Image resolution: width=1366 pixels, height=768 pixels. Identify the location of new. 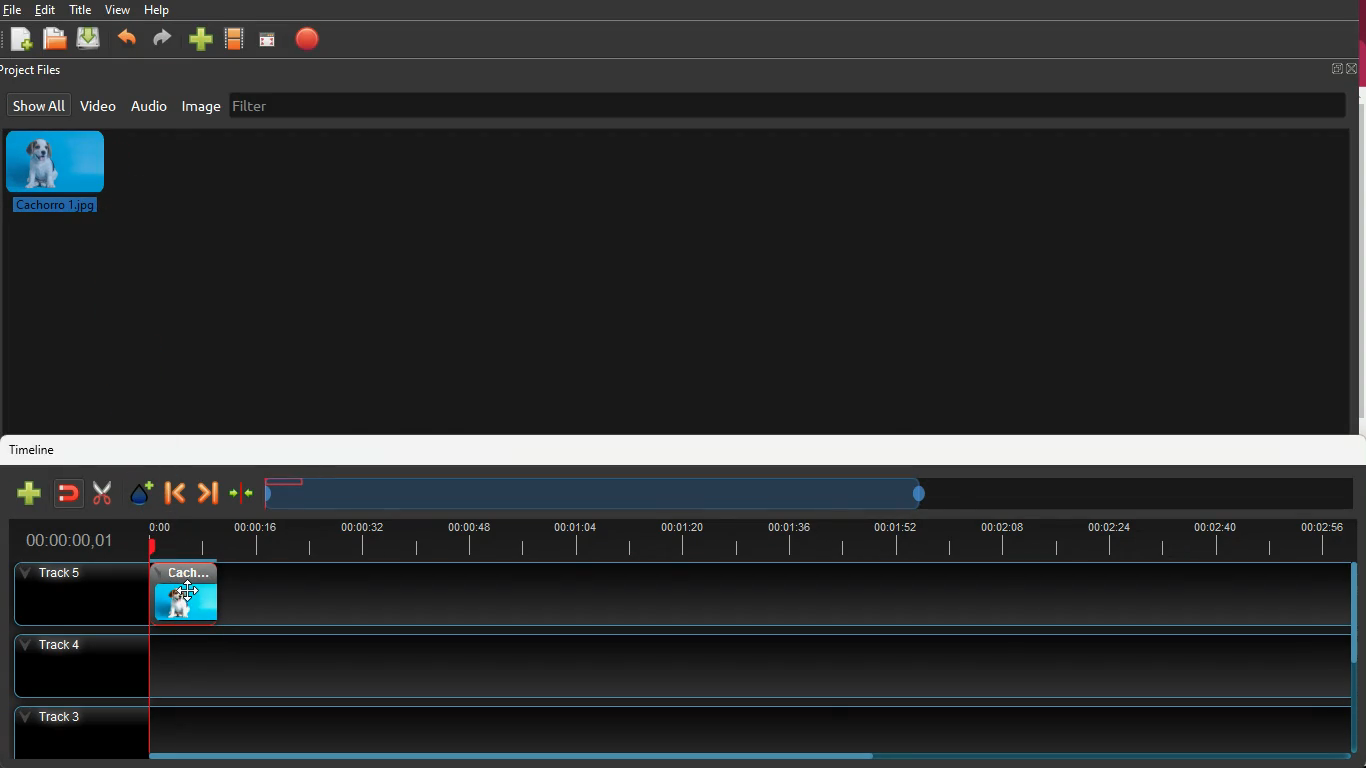
(30, 494).